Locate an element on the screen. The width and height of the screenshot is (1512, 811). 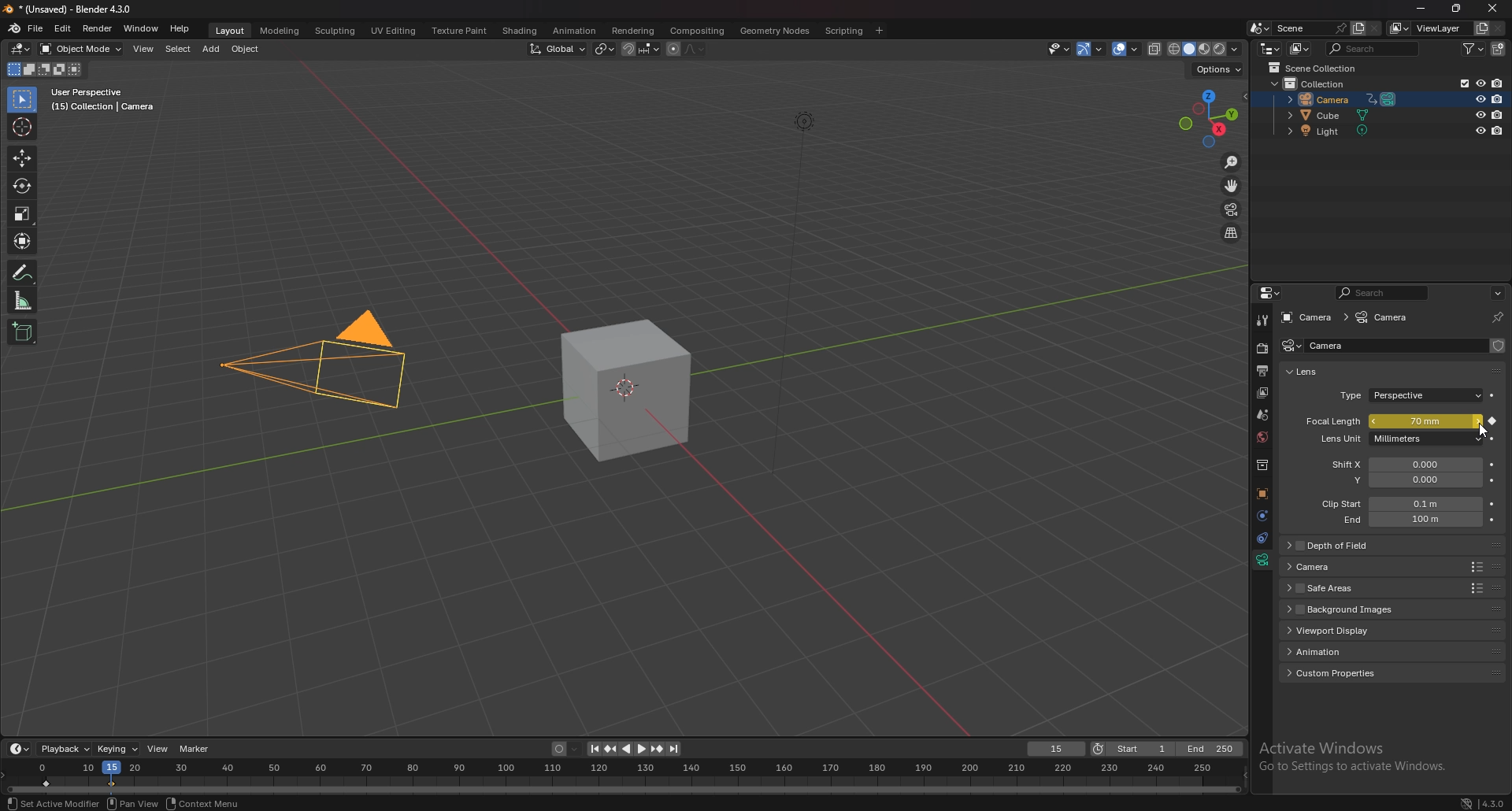
animate property is located at coordinates (1492, 503).